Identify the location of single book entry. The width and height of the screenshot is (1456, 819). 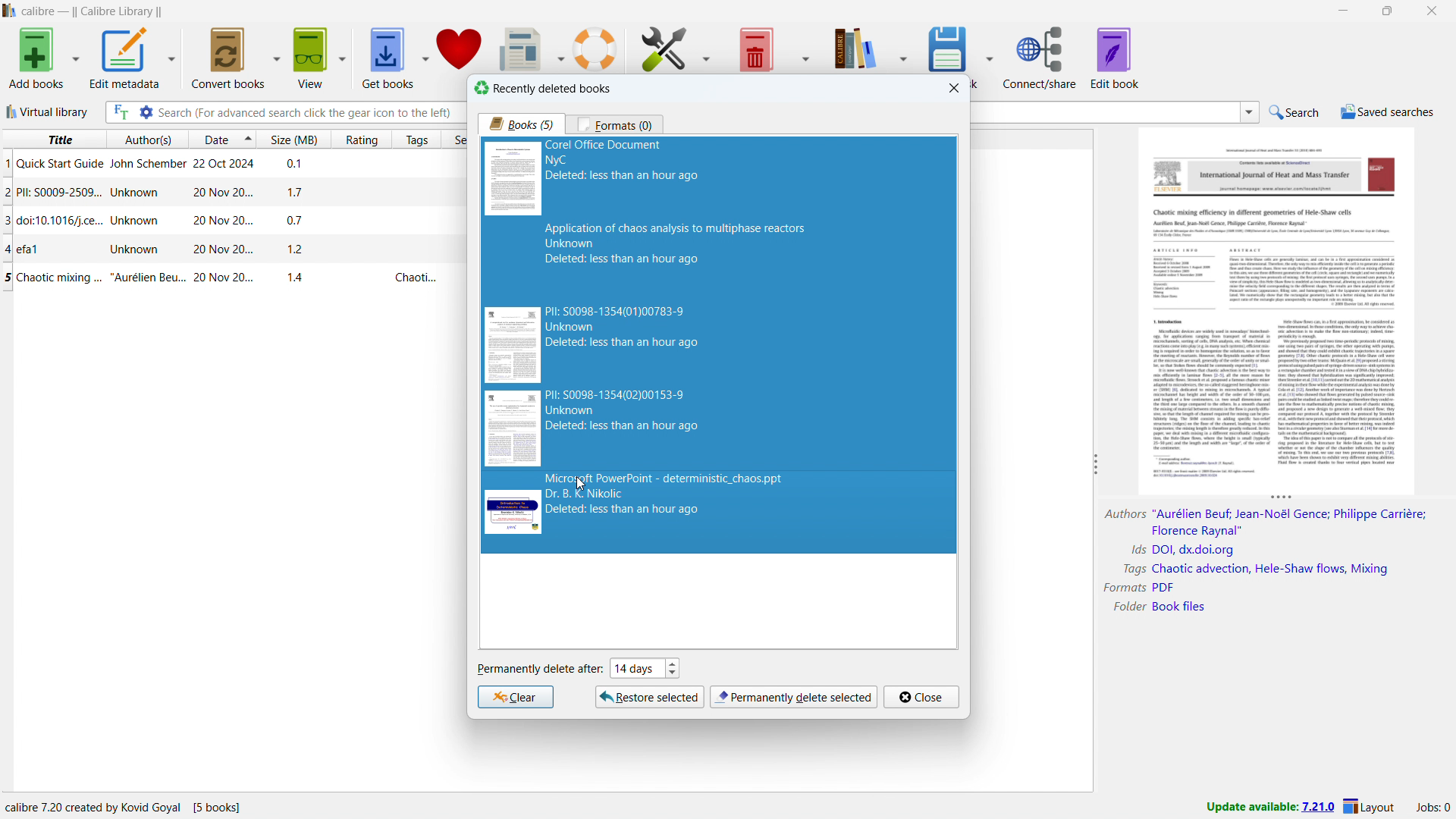
(226, 165).